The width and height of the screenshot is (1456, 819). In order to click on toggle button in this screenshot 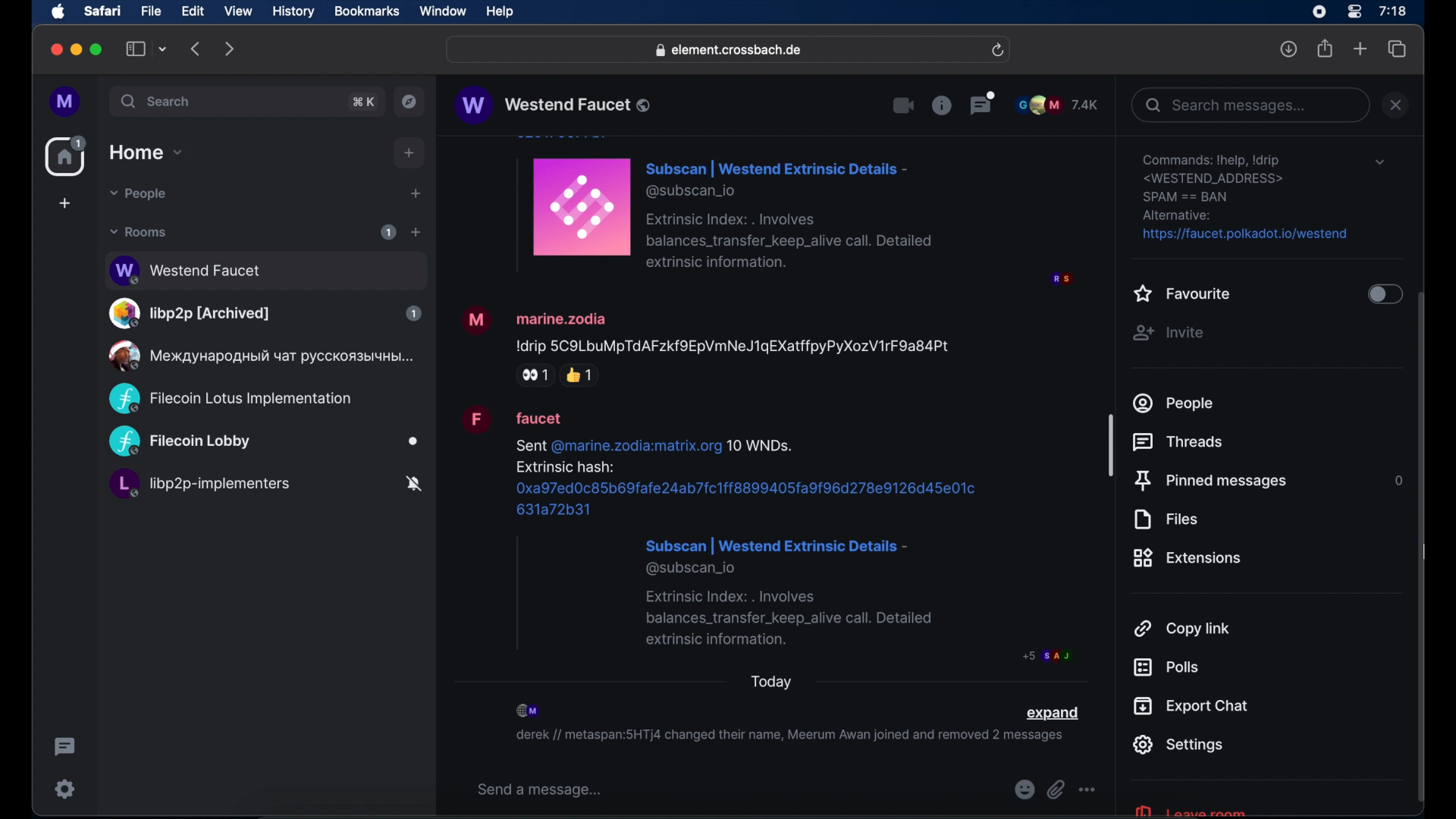, I will do `click(1383, 296)`.